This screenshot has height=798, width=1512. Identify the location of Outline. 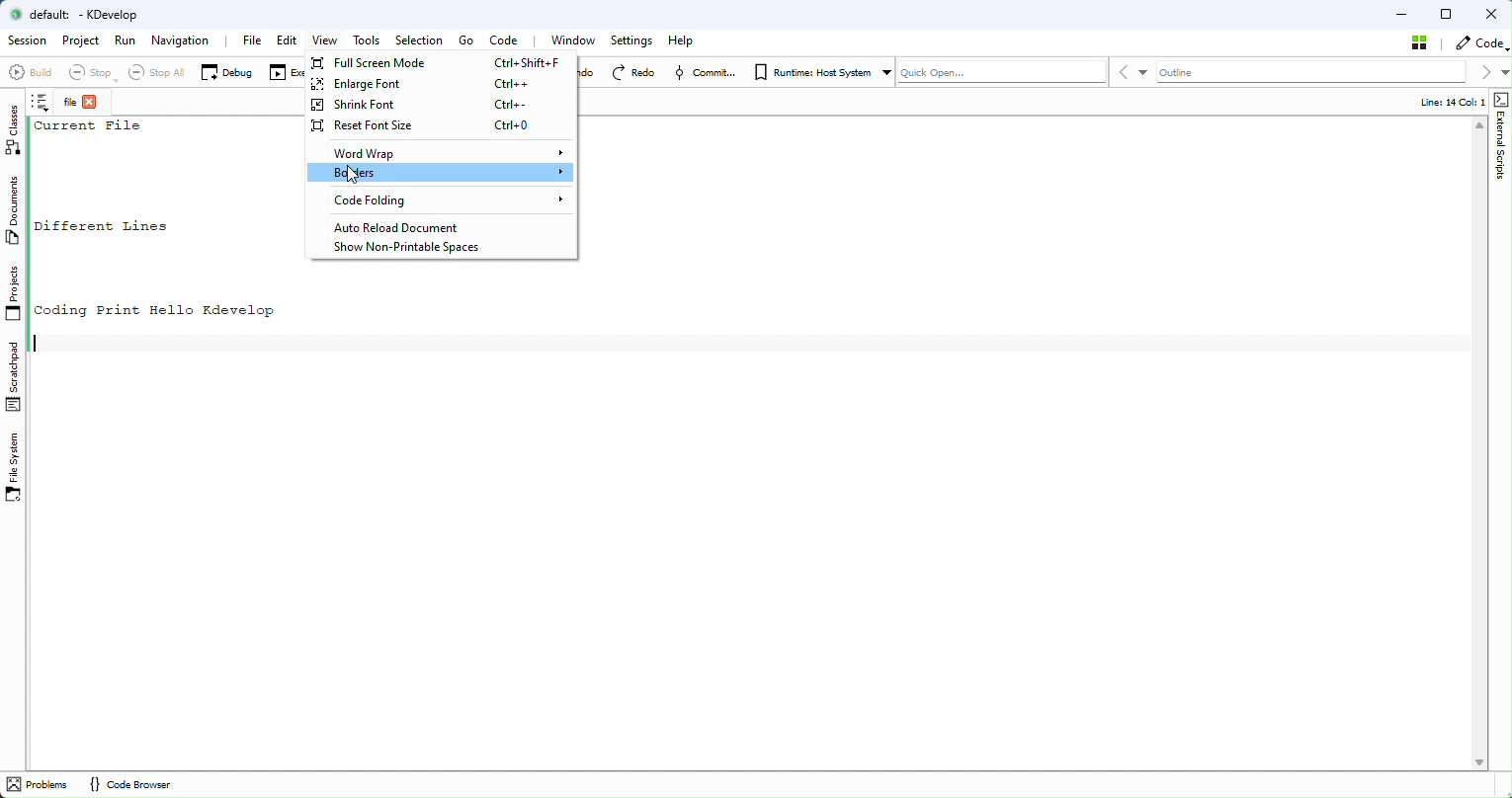
(1312, 72).